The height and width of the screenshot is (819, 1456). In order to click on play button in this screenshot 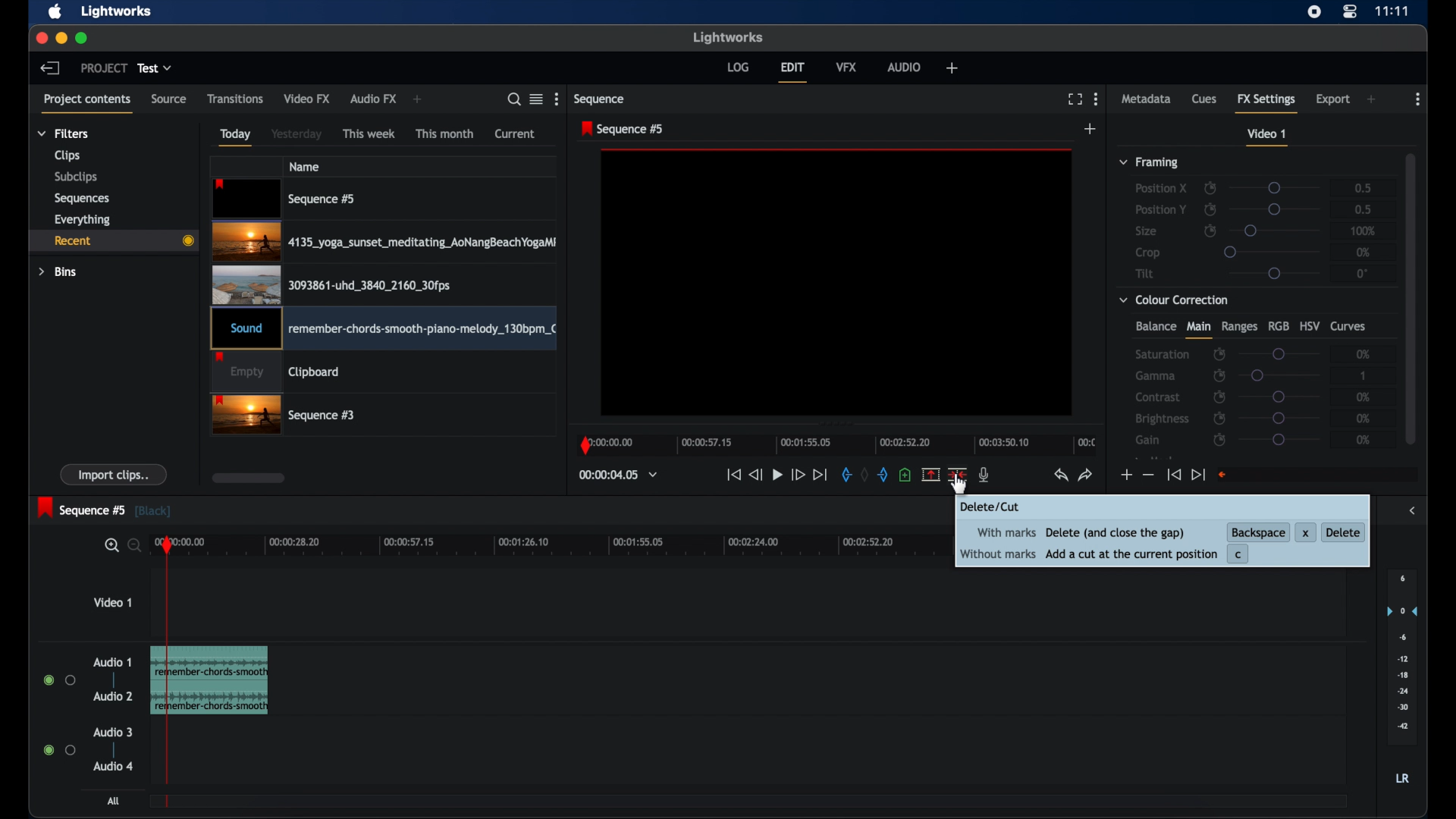, I will do `click(778, 475)`.